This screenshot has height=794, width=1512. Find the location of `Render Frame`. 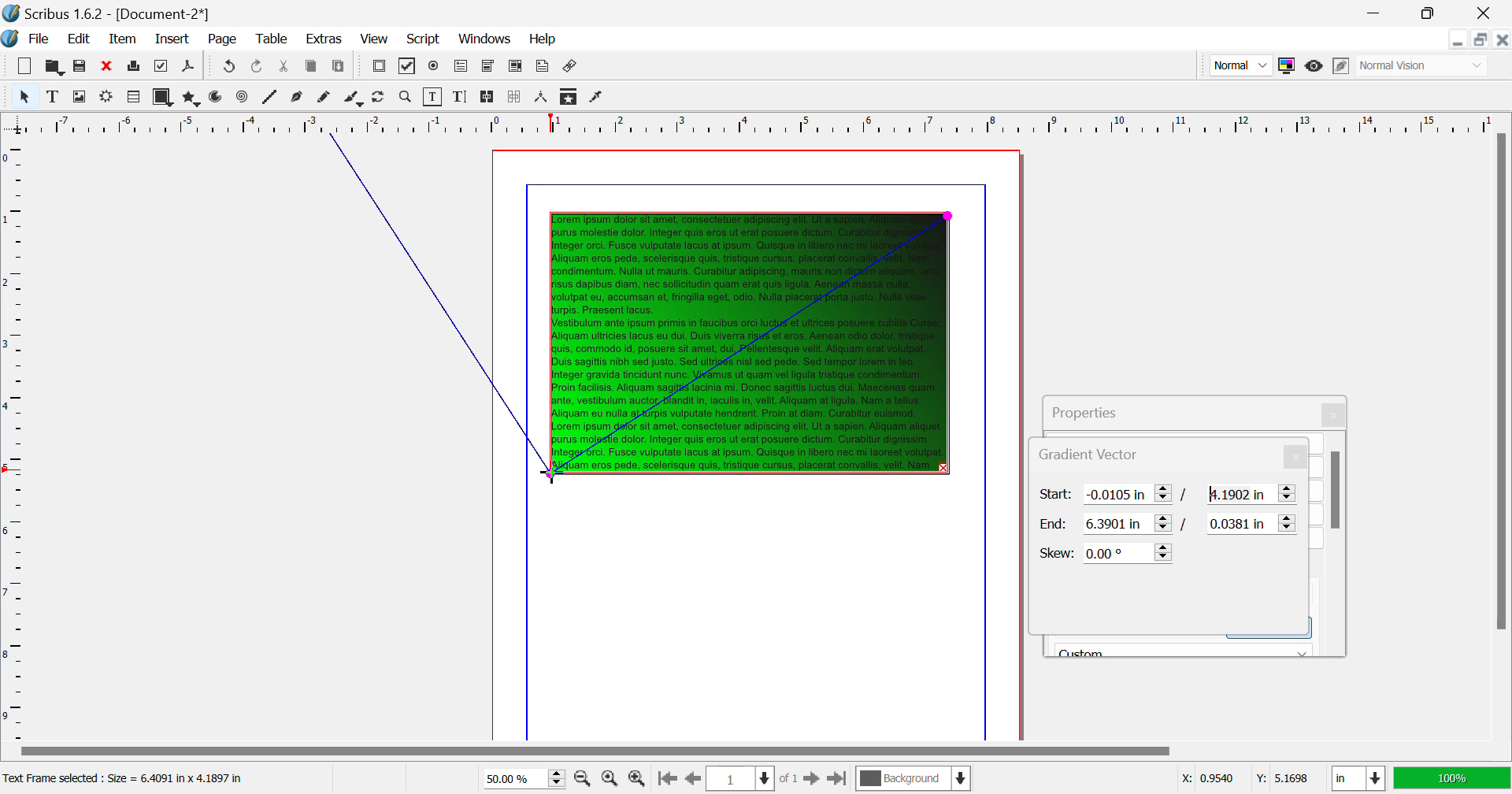

Render Frame is located at coordinates (106, 98).